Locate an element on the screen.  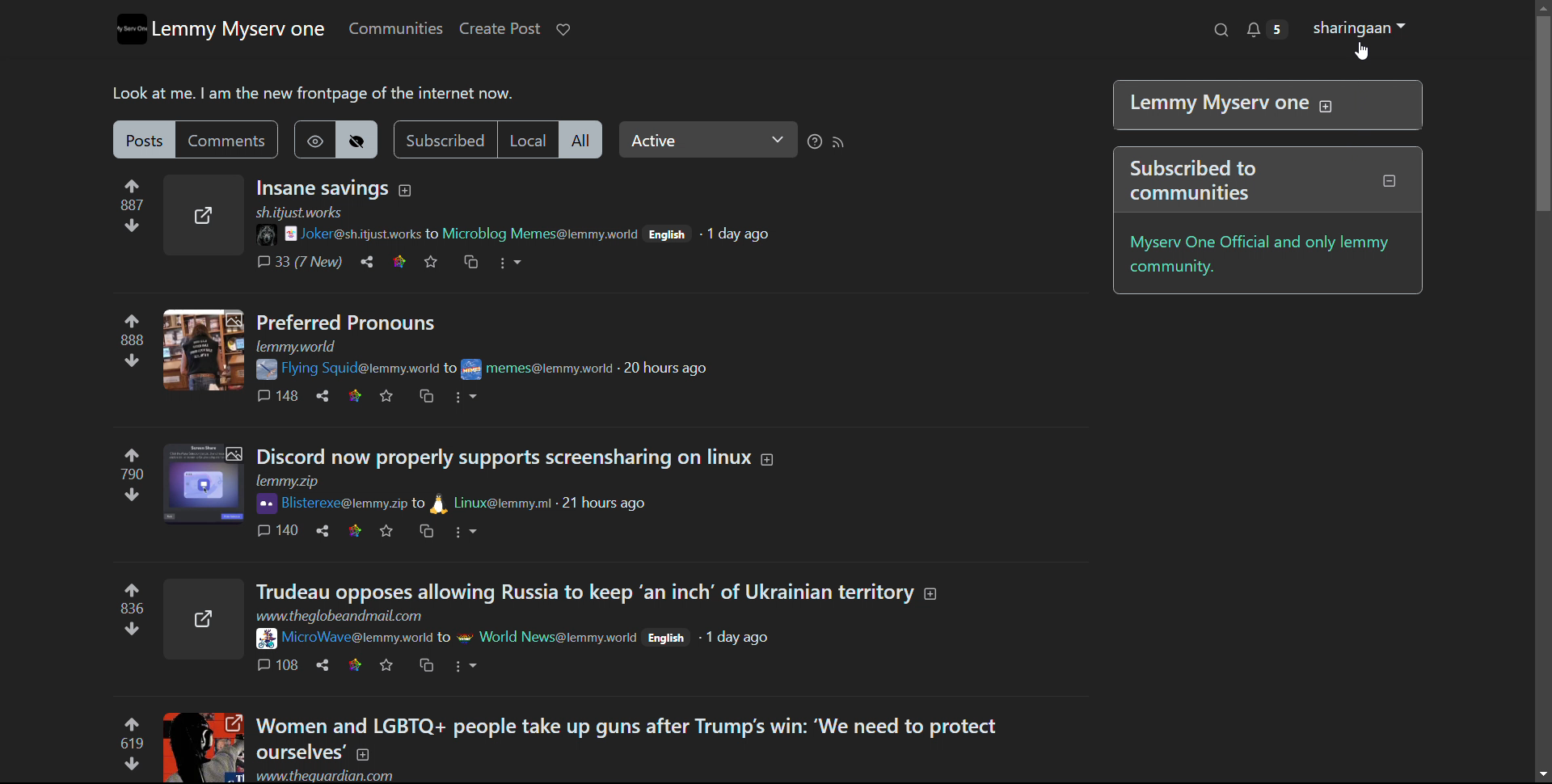
to memes@lemmy.work is located at coordinates (529, 369).